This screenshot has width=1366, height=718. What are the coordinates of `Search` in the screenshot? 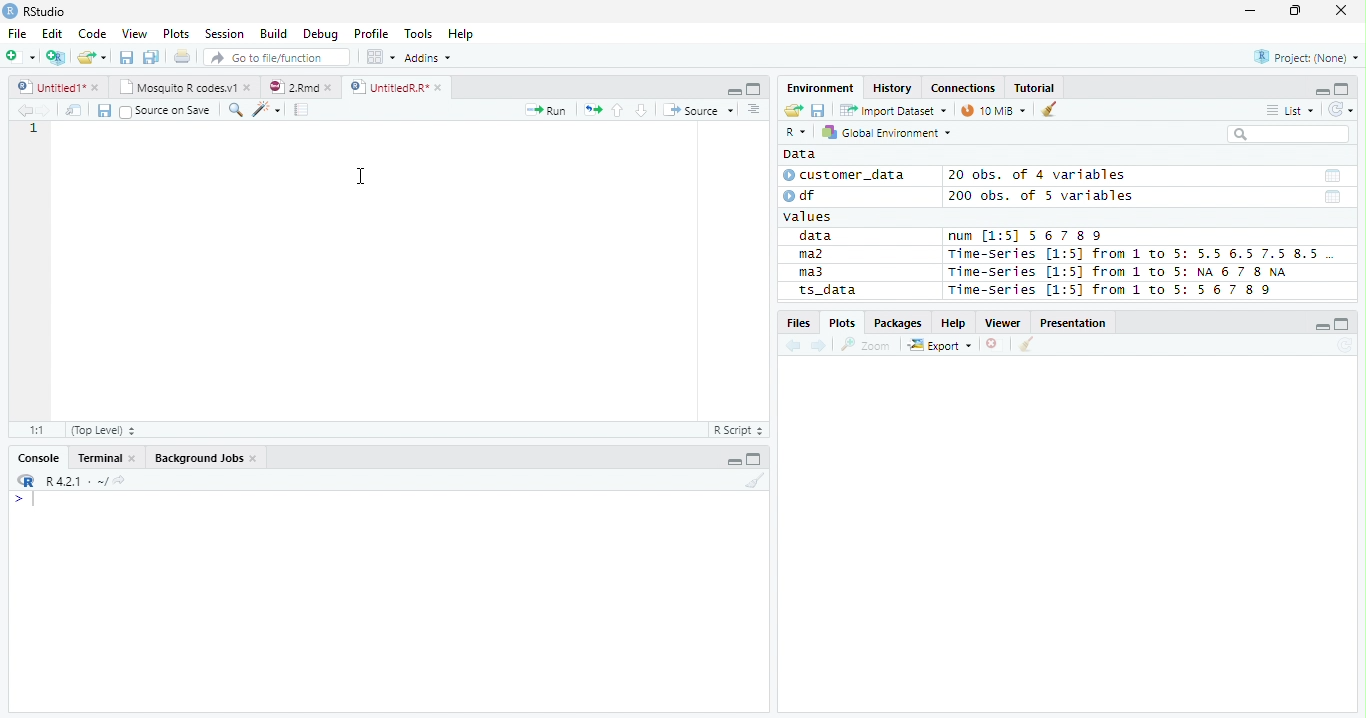 It's located at (1286, 134).